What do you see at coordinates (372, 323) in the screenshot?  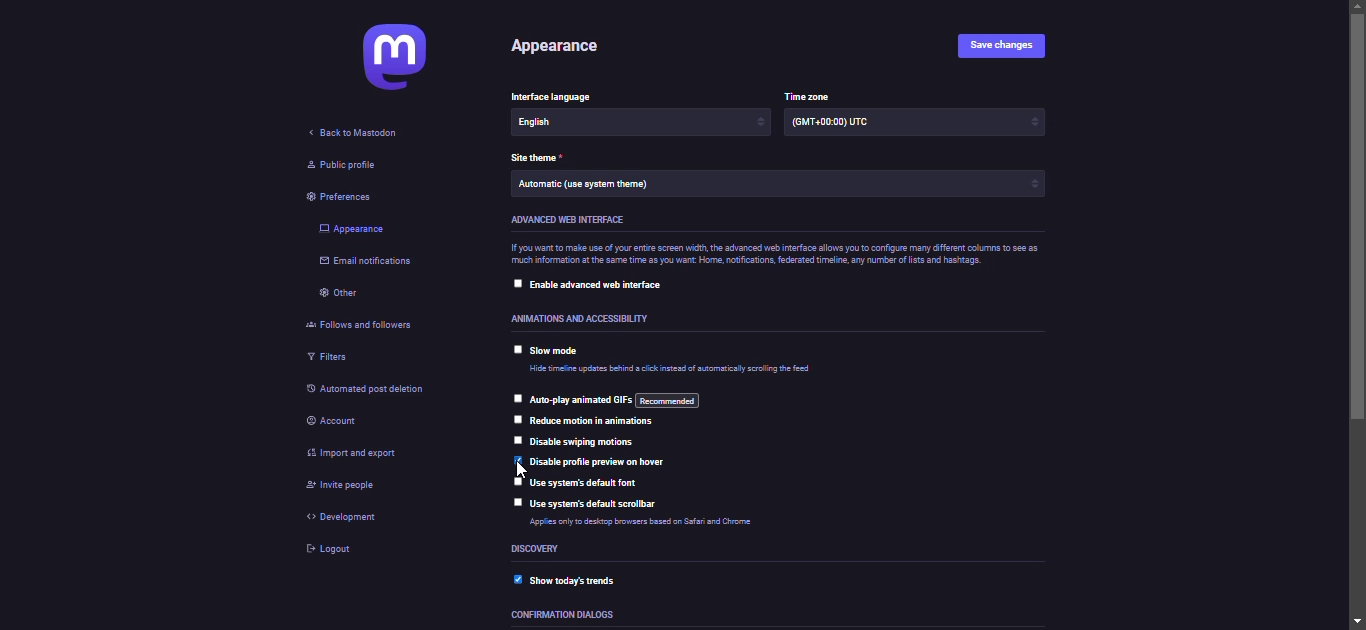 I see `follows and followers` at bounding box center [372, 323].